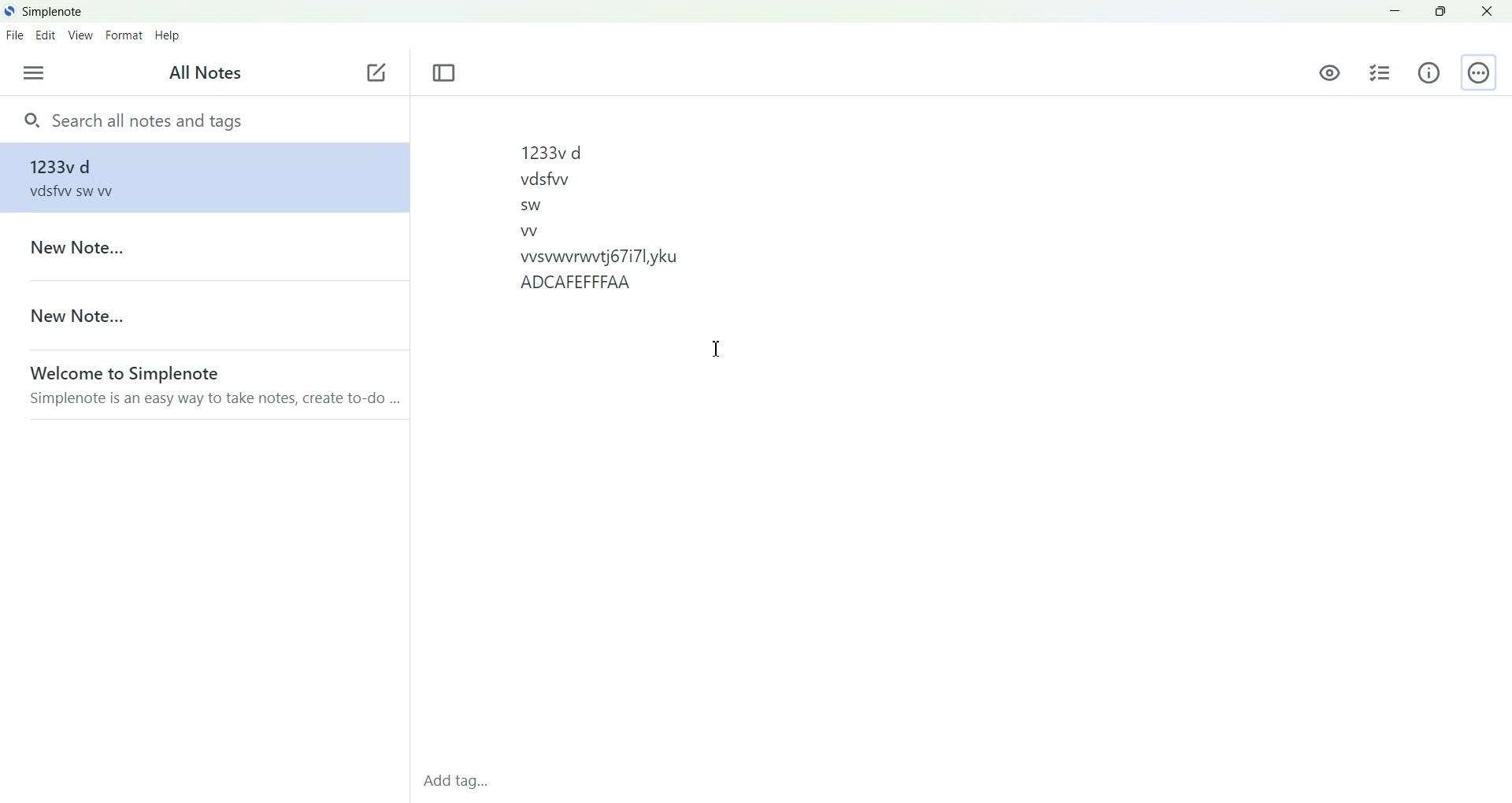  What do you see at coordinates (444, 73) in the screenshot?
I see `Toggle focus mode` at bounding box center [444, 73].